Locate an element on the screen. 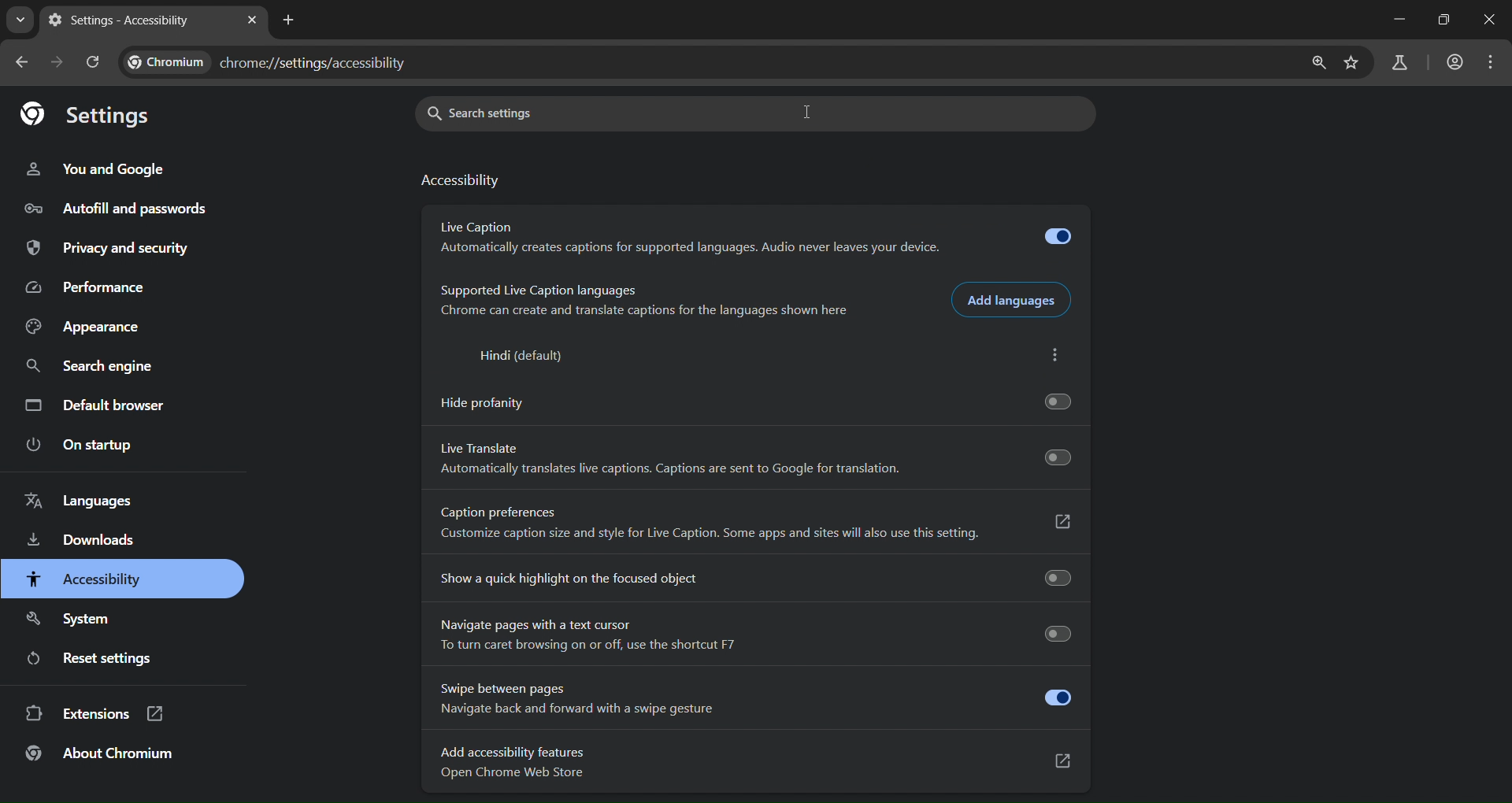  minimize is located at coordinates (1397, 19).